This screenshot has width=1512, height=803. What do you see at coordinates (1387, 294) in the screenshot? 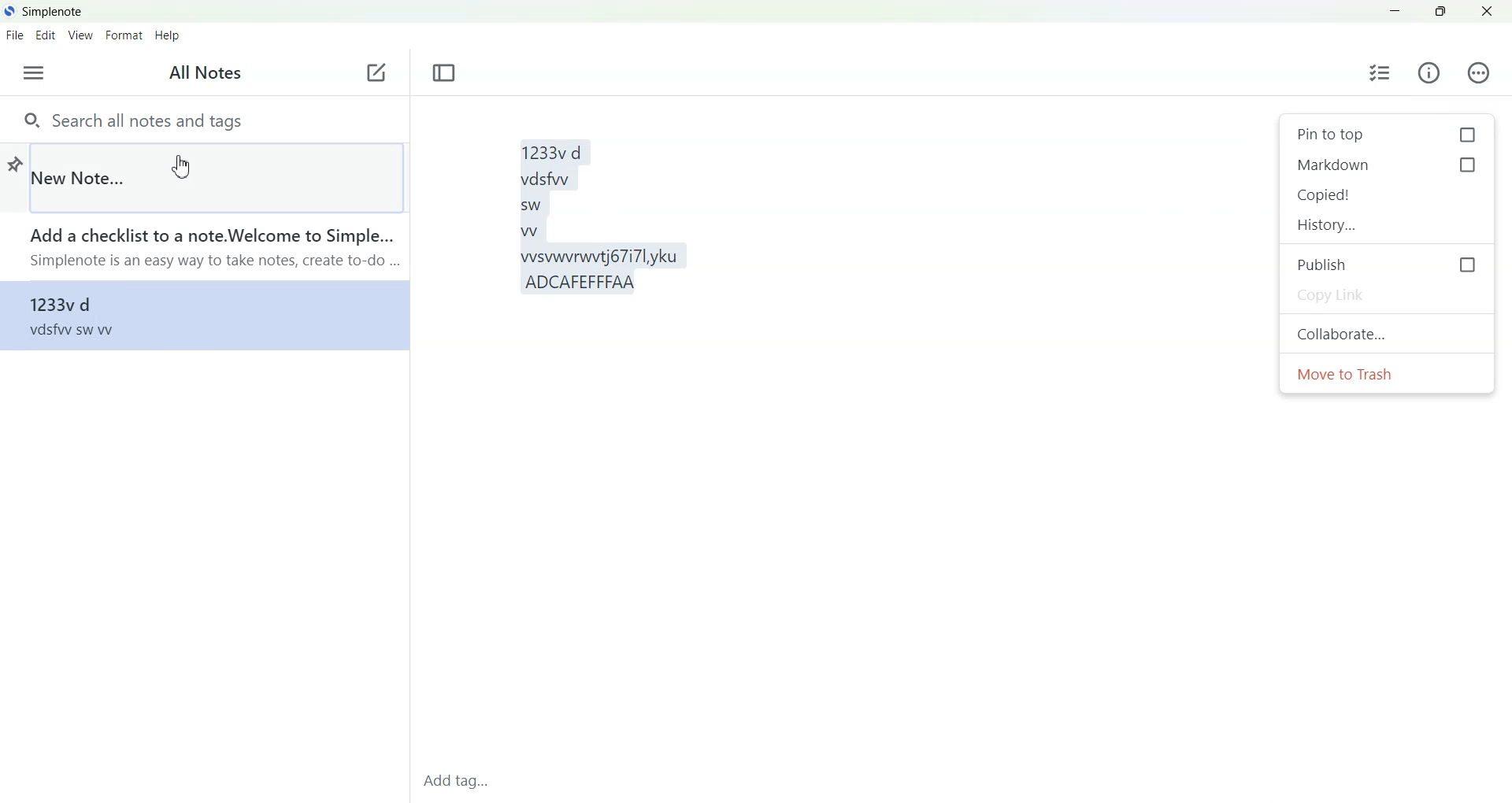
I see `Copy link` at bounding box center [1387, 294].